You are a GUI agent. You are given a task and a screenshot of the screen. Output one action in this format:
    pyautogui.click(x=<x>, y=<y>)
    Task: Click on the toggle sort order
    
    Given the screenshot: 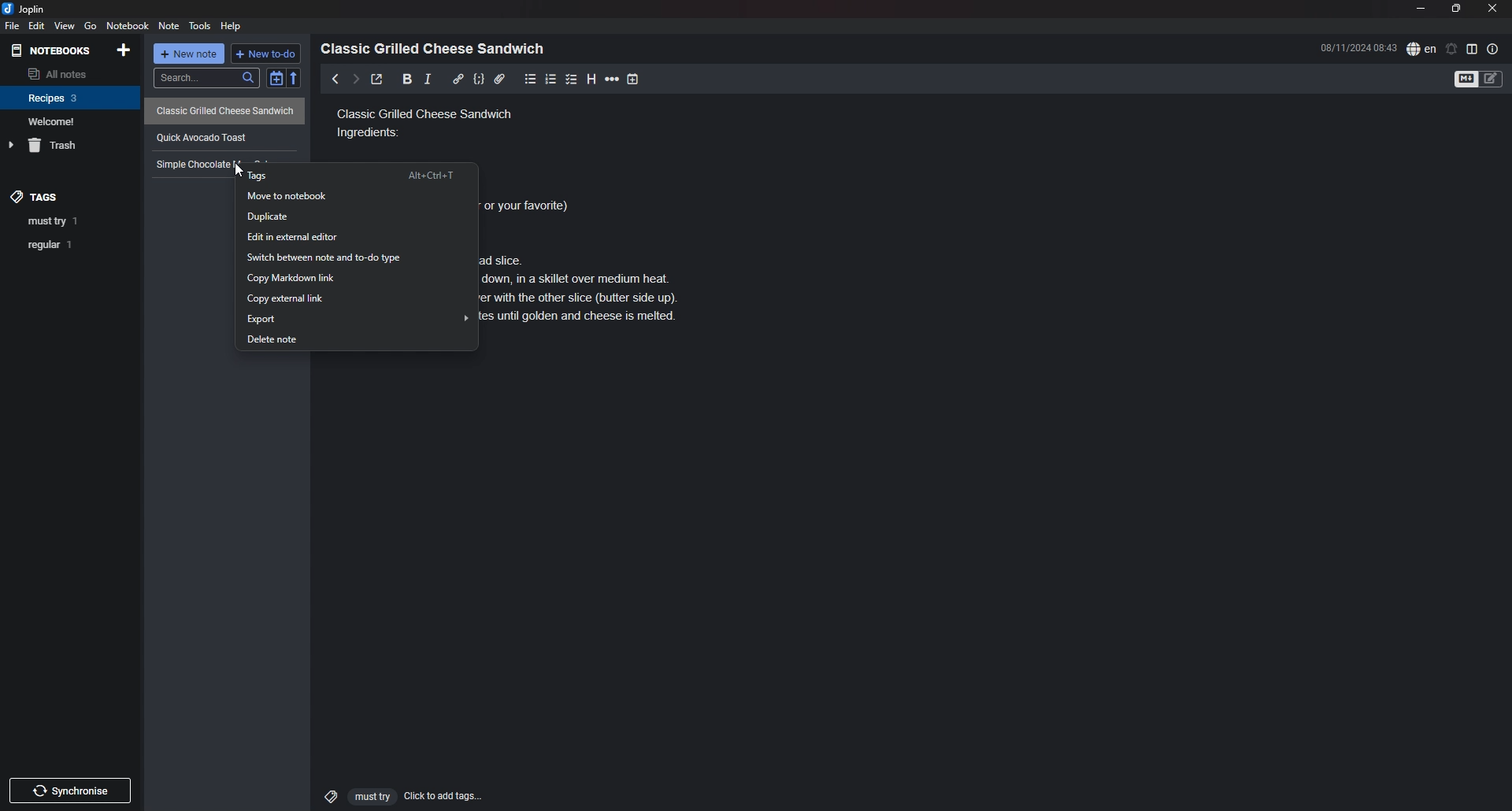 What is the action you would take?
    pyautogui.click(x=276, y=80)
    